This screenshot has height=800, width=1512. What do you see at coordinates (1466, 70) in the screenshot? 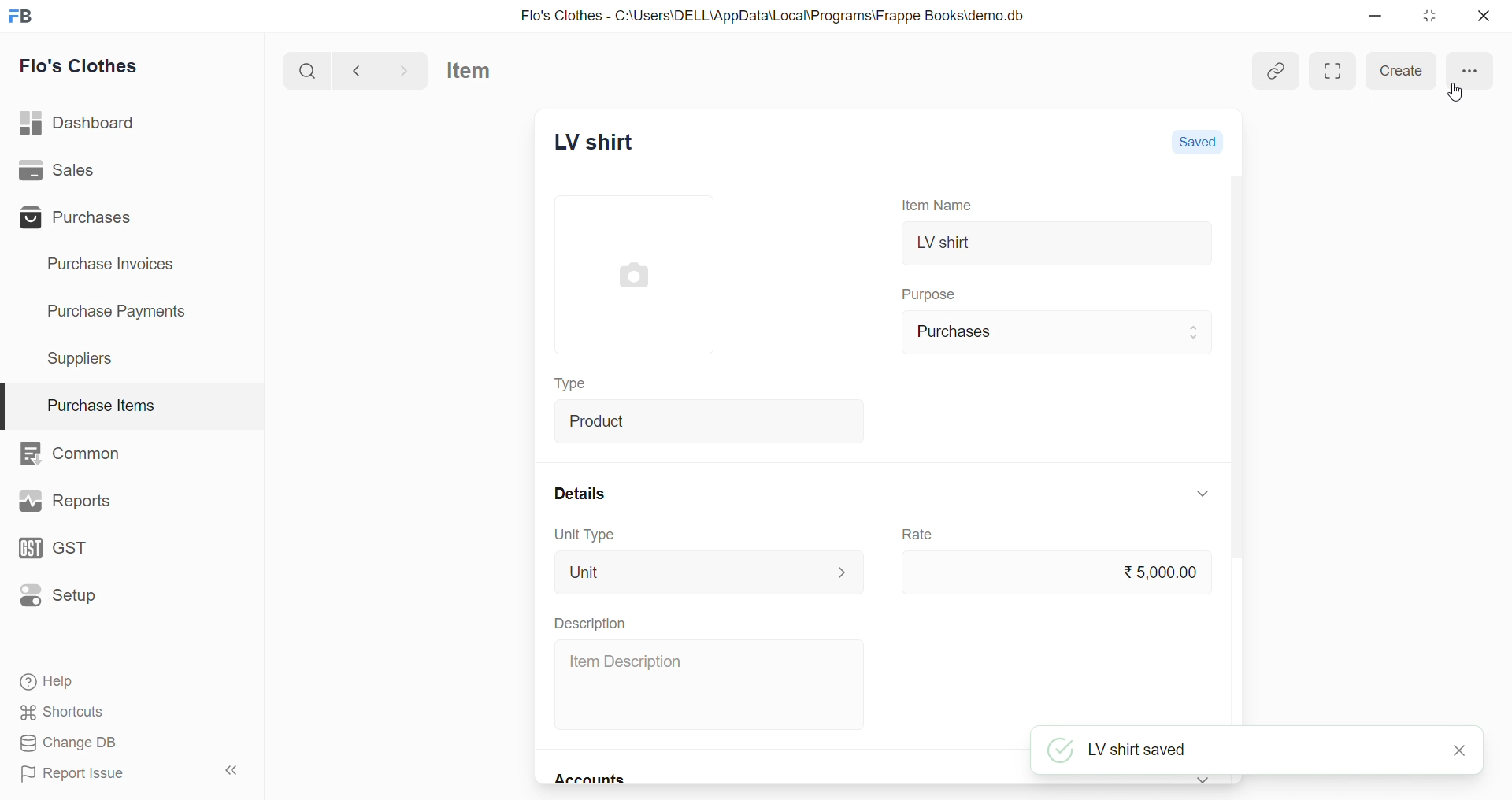
I see `more options` at bounding box center [1466, 70].